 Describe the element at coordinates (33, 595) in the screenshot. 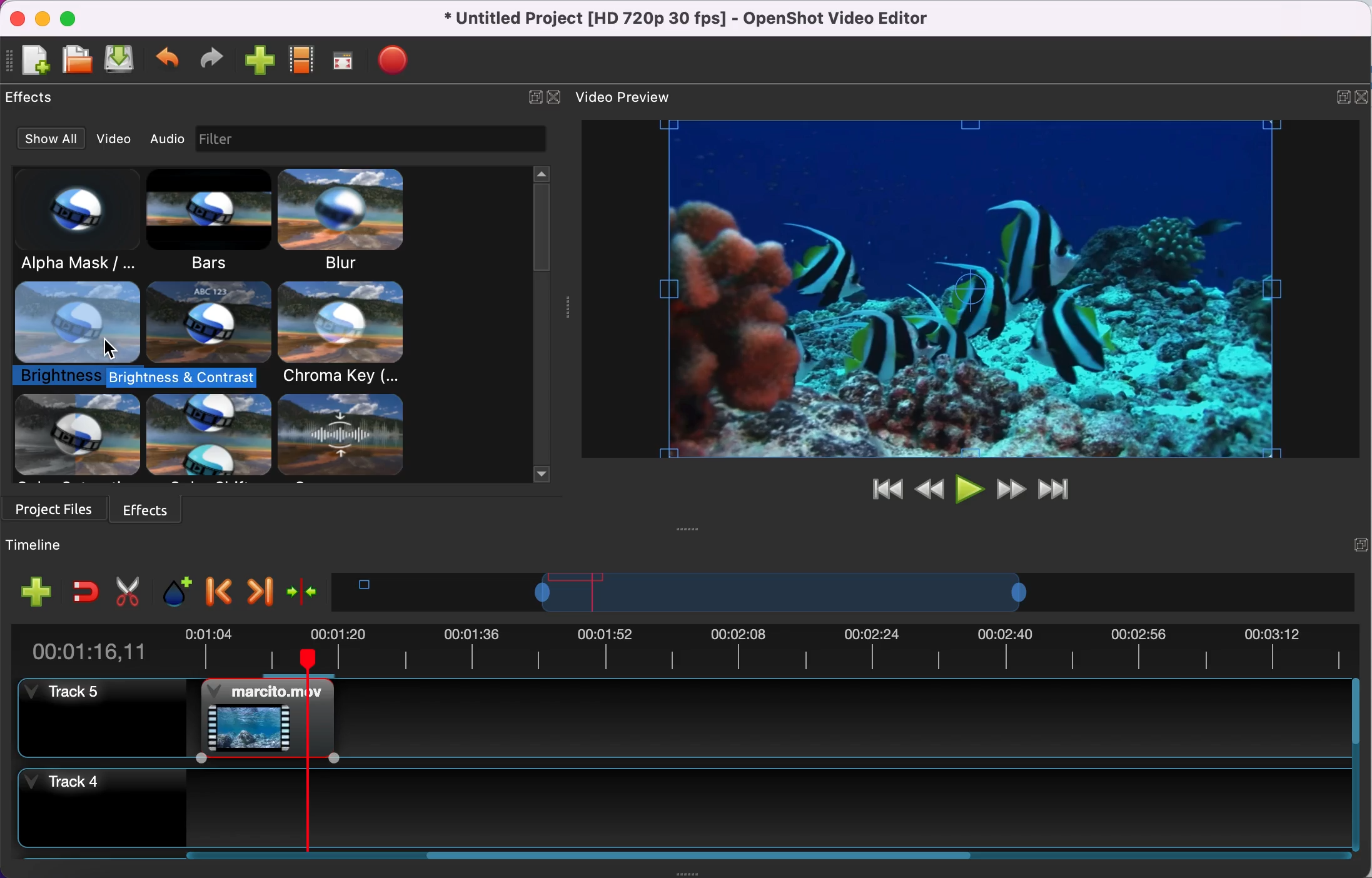

I see `add track` at that location.